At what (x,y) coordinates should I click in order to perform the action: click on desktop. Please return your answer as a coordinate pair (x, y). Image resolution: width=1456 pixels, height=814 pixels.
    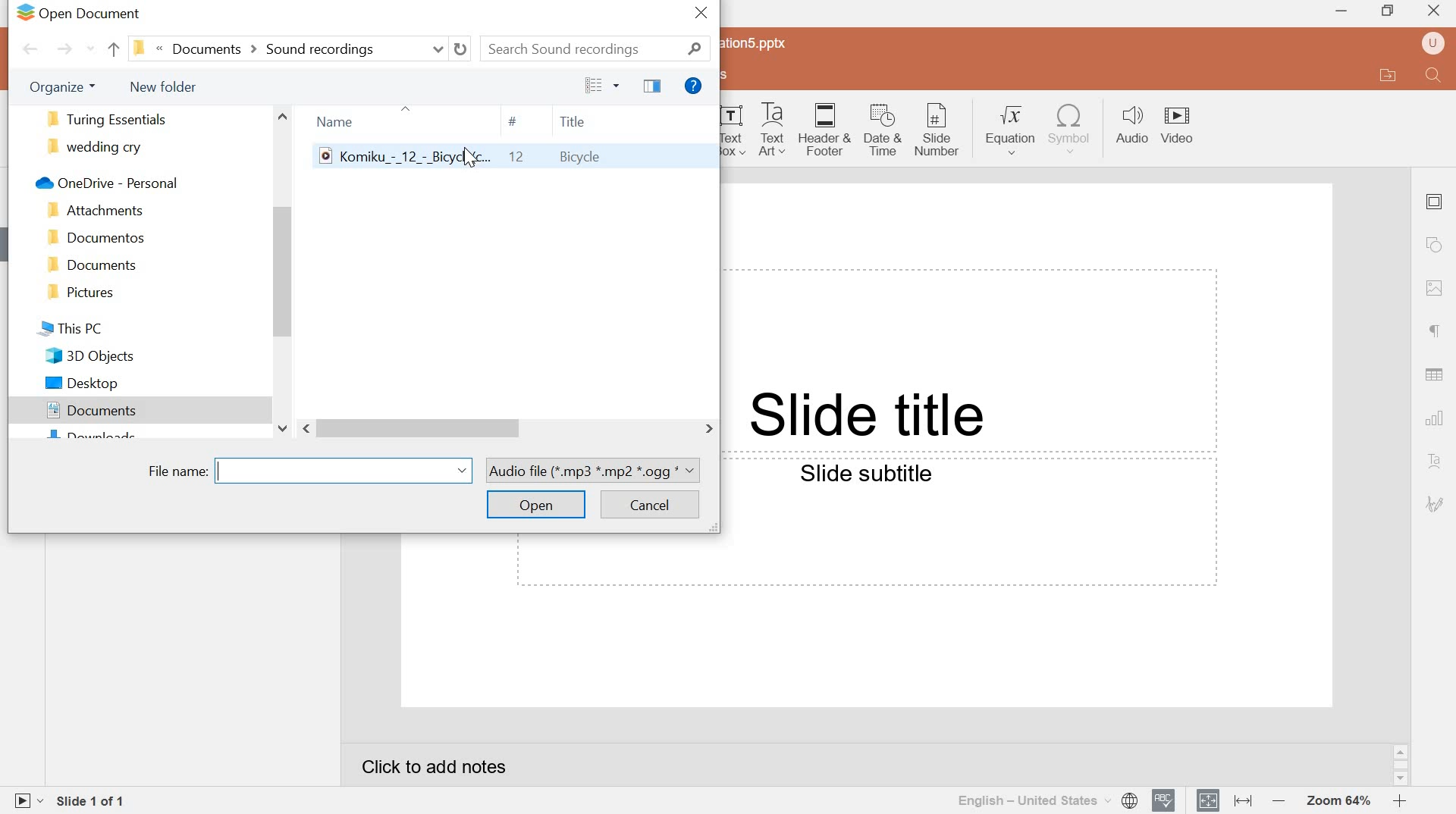
    Looking at the image, I should click on (84, 384).